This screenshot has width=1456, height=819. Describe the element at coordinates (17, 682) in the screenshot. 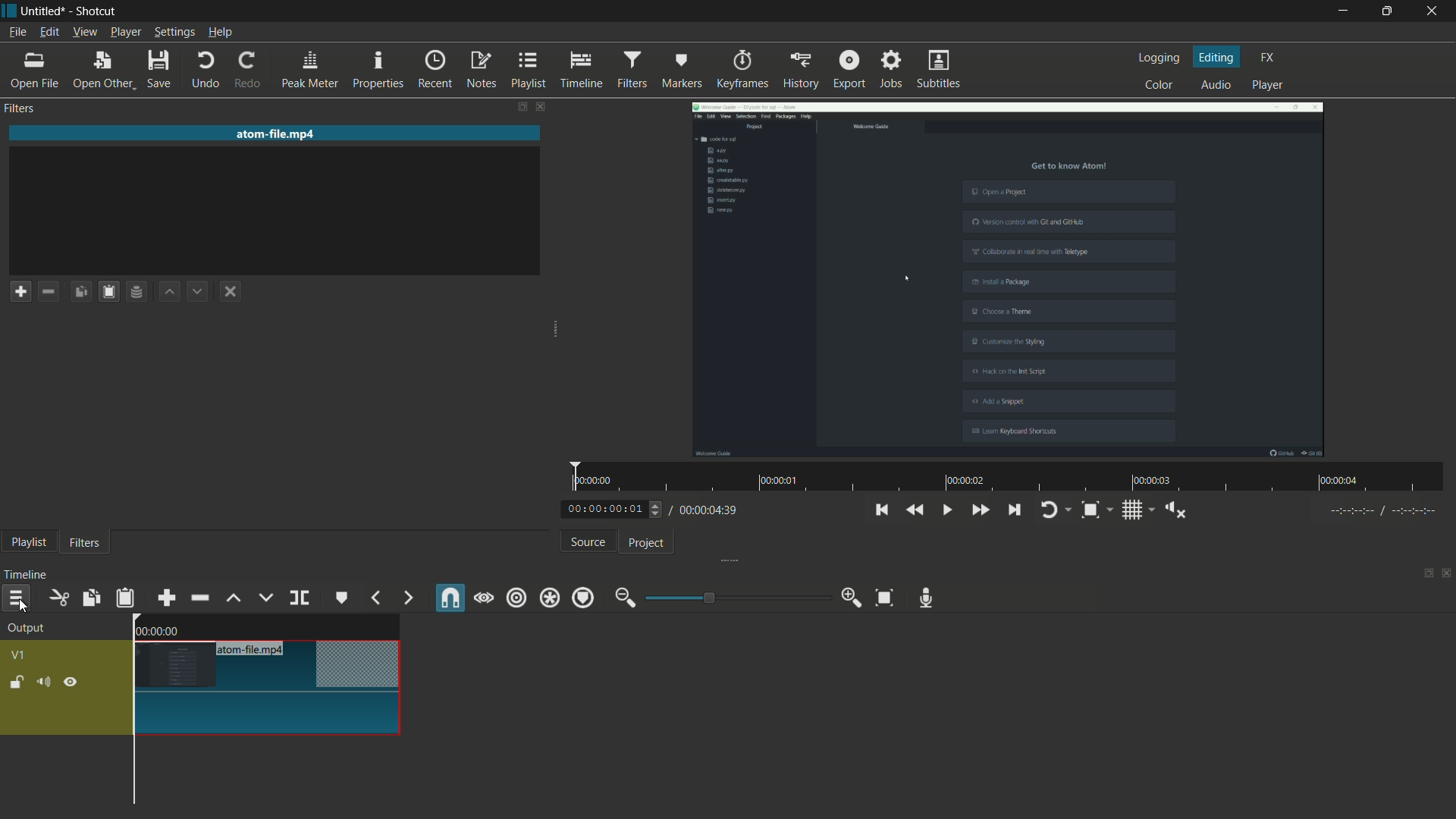

I see `lock` at that location.